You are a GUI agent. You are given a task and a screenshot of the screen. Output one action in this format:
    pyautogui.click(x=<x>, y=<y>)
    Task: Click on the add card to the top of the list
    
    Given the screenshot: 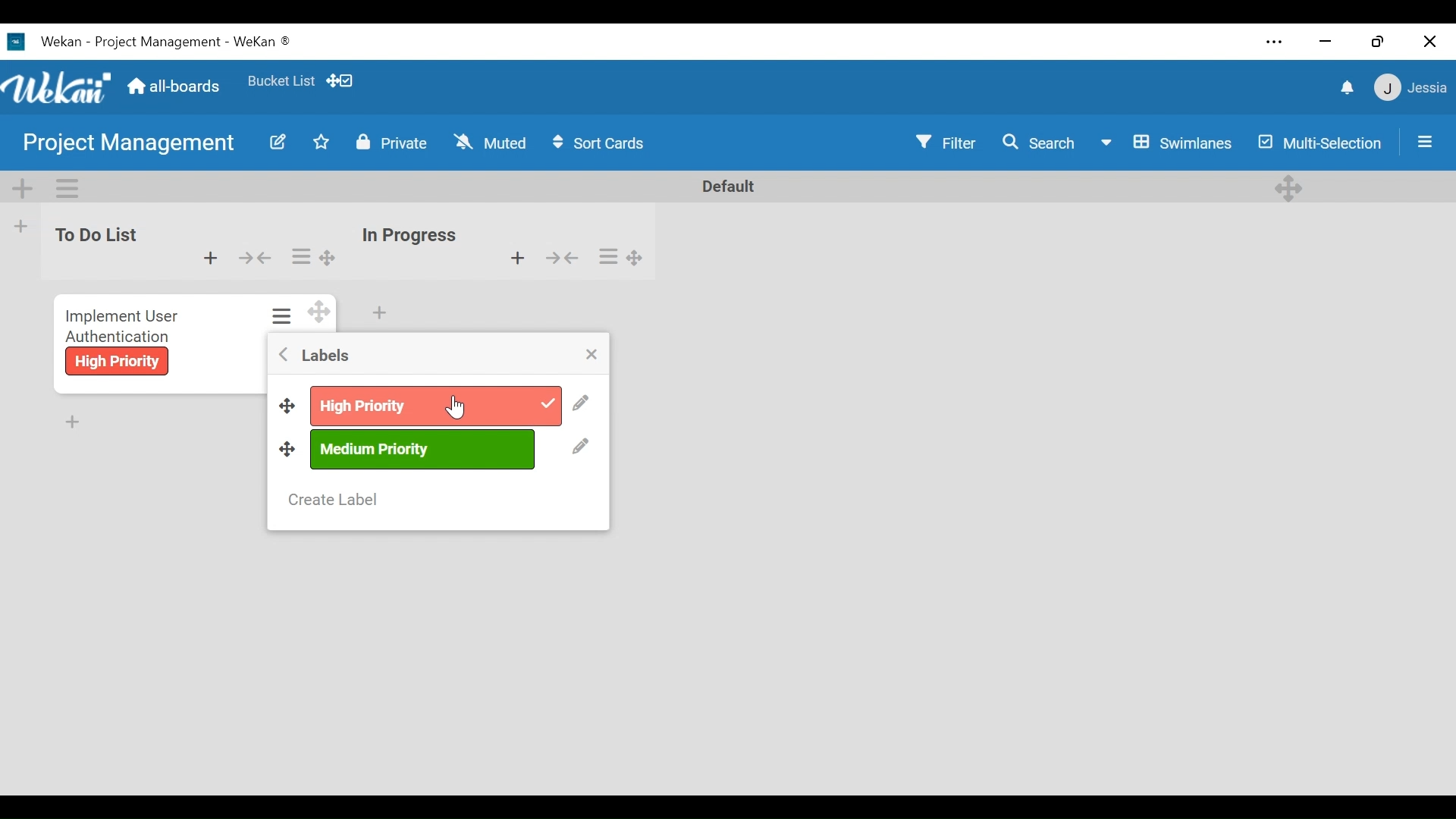 What is the action you would take?
    pyautogui.click(x=516, y=259)
    